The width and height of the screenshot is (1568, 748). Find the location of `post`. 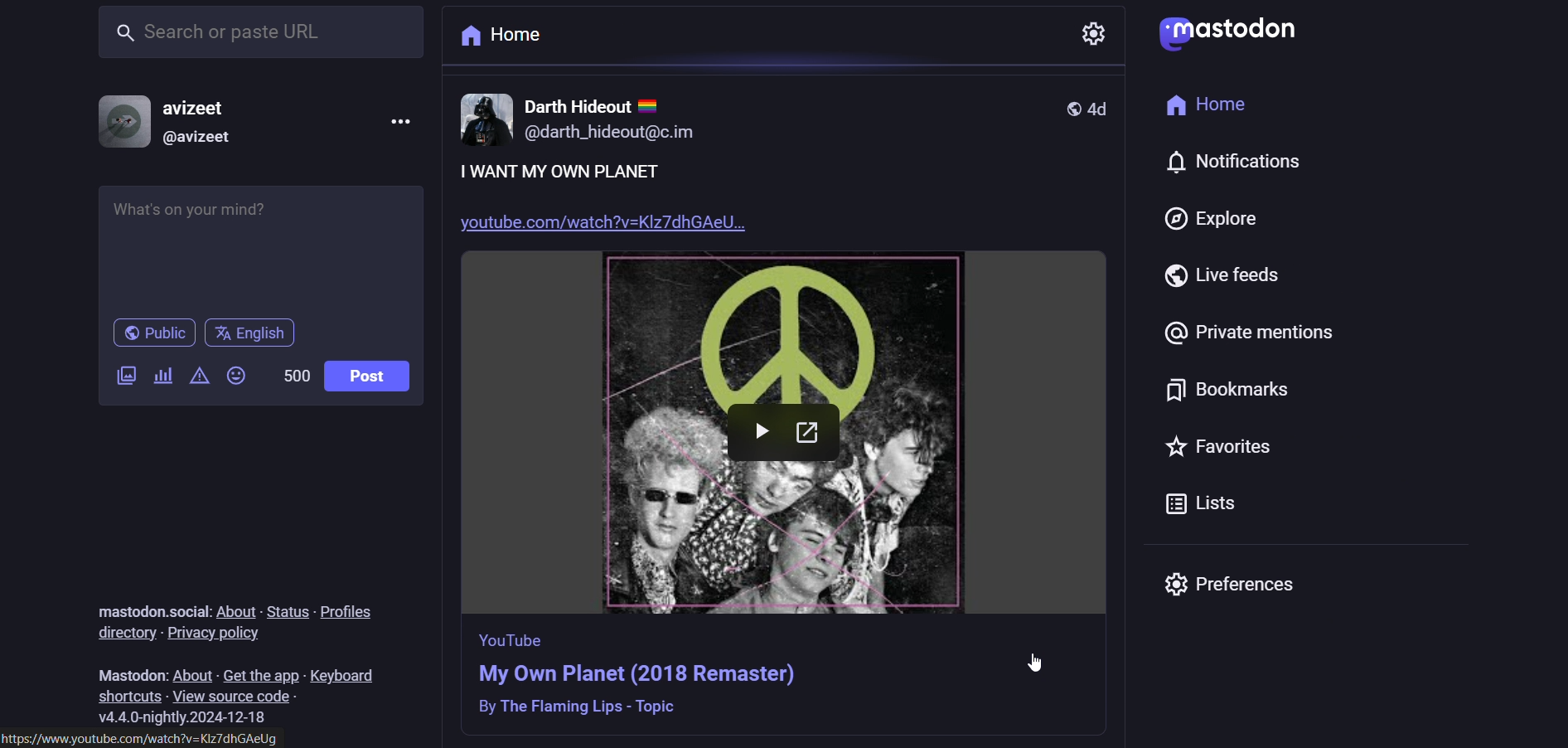

post is located at coordinates (371, 372).